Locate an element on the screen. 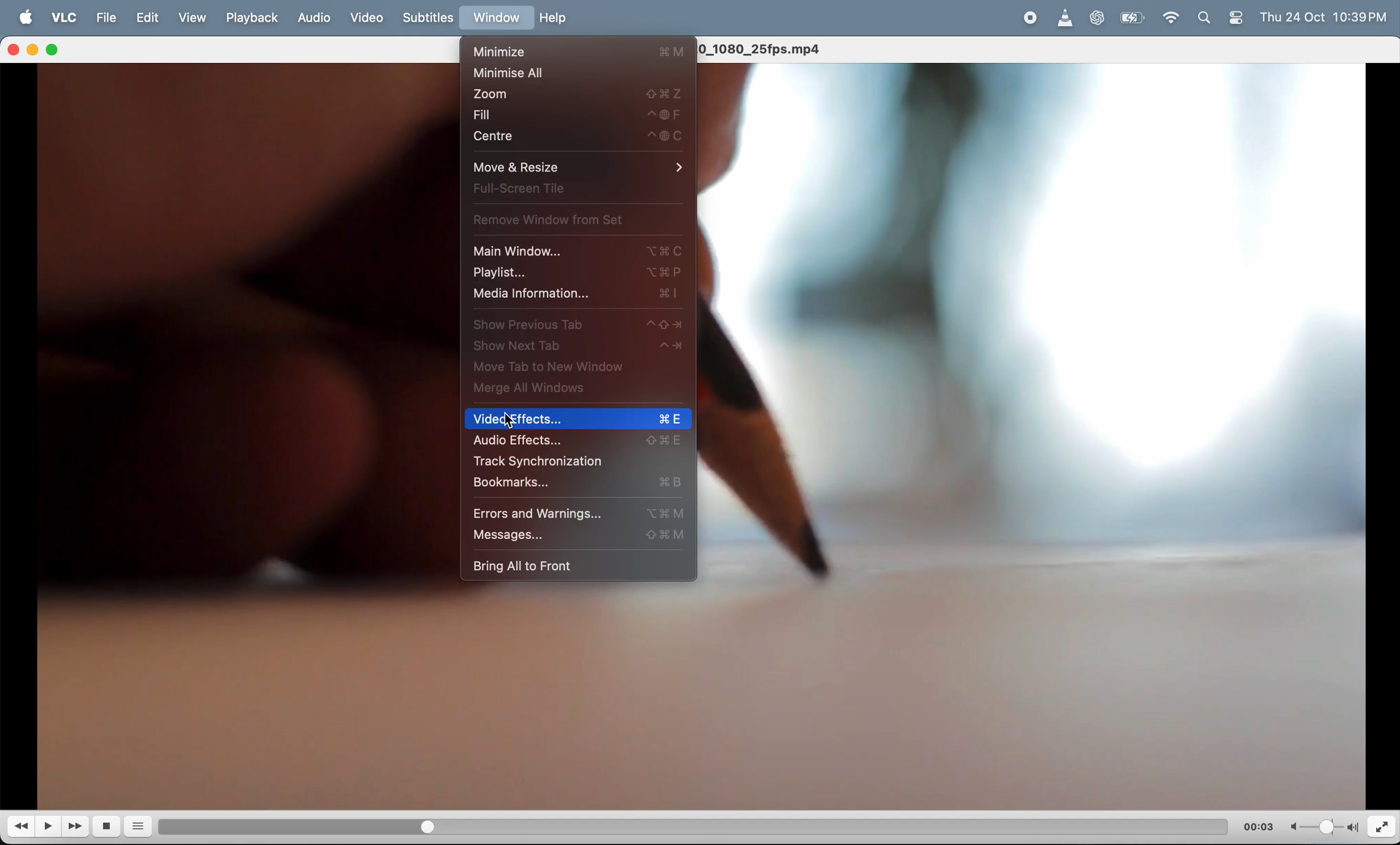 Image resolution: width=1400 pixels, height=845 pixels.  is located at coordinates (1382, 826).